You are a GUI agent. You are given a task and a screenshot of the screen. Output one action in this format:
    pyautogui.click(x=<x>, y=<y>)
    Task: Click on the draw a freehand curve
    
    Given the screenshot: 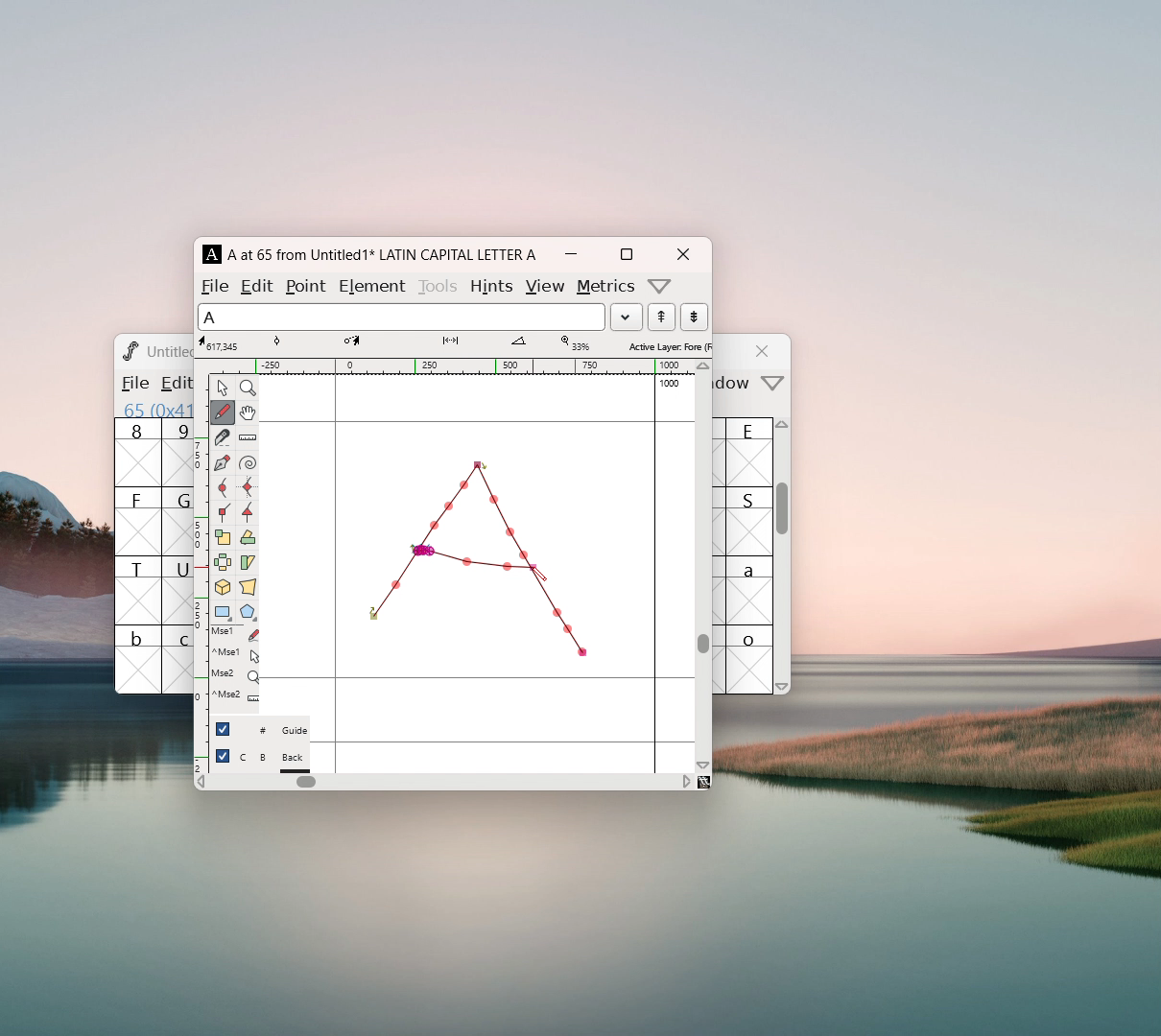 What is the action you would take?
    pyautogui.click(x=223, y=412)
    